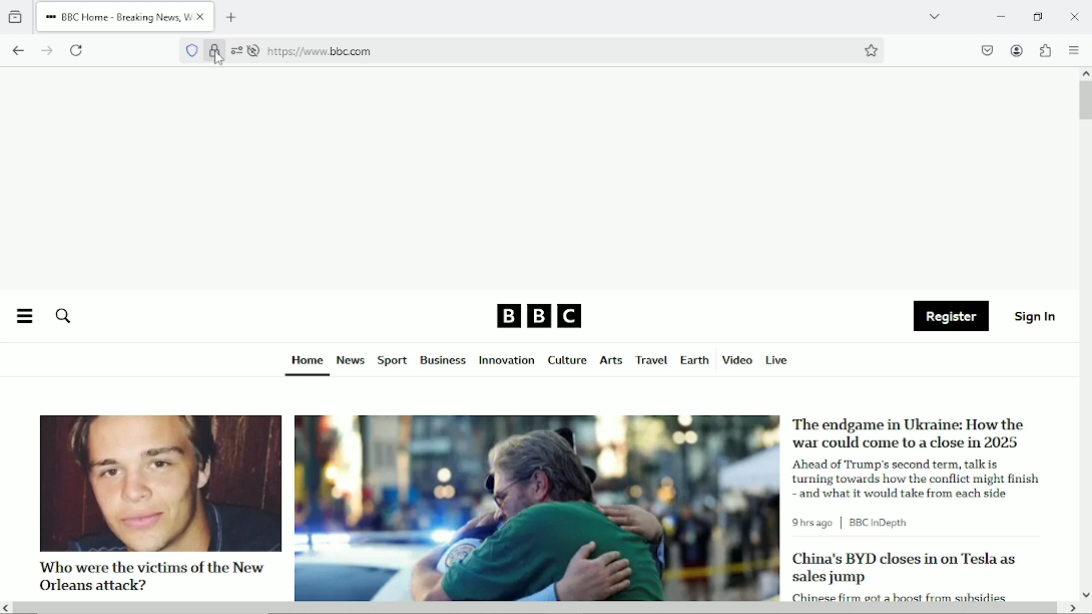 Image resolution: width=1092 pixels, height=614 pixels. What do you see at coordinates (1039, 16) in the screenshot?
I see `restore down` at bounding box center [1039, 16].